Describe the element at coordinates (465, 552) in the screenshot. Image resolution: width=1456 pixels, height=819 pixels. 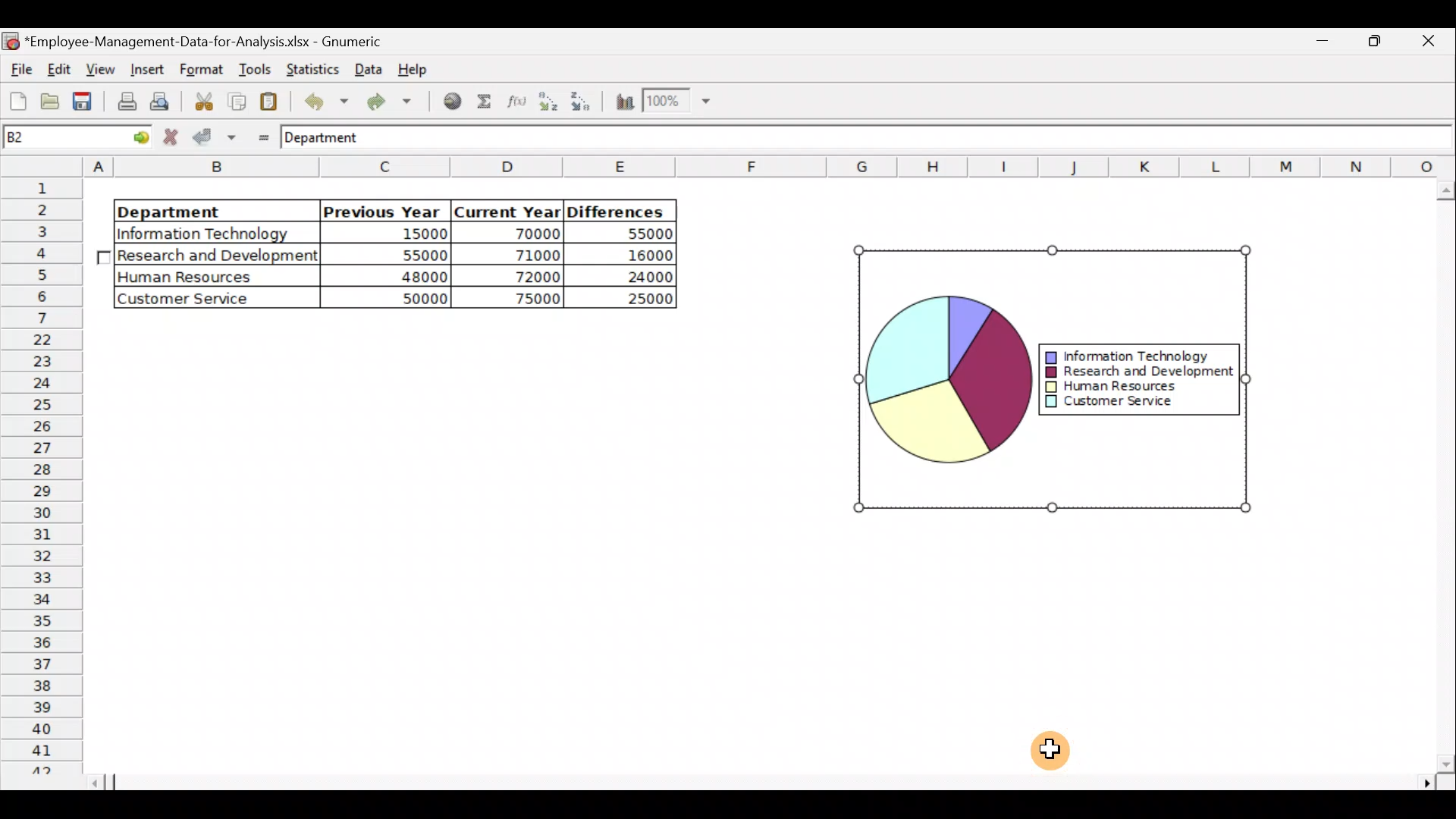
I see `Cells` at that location.